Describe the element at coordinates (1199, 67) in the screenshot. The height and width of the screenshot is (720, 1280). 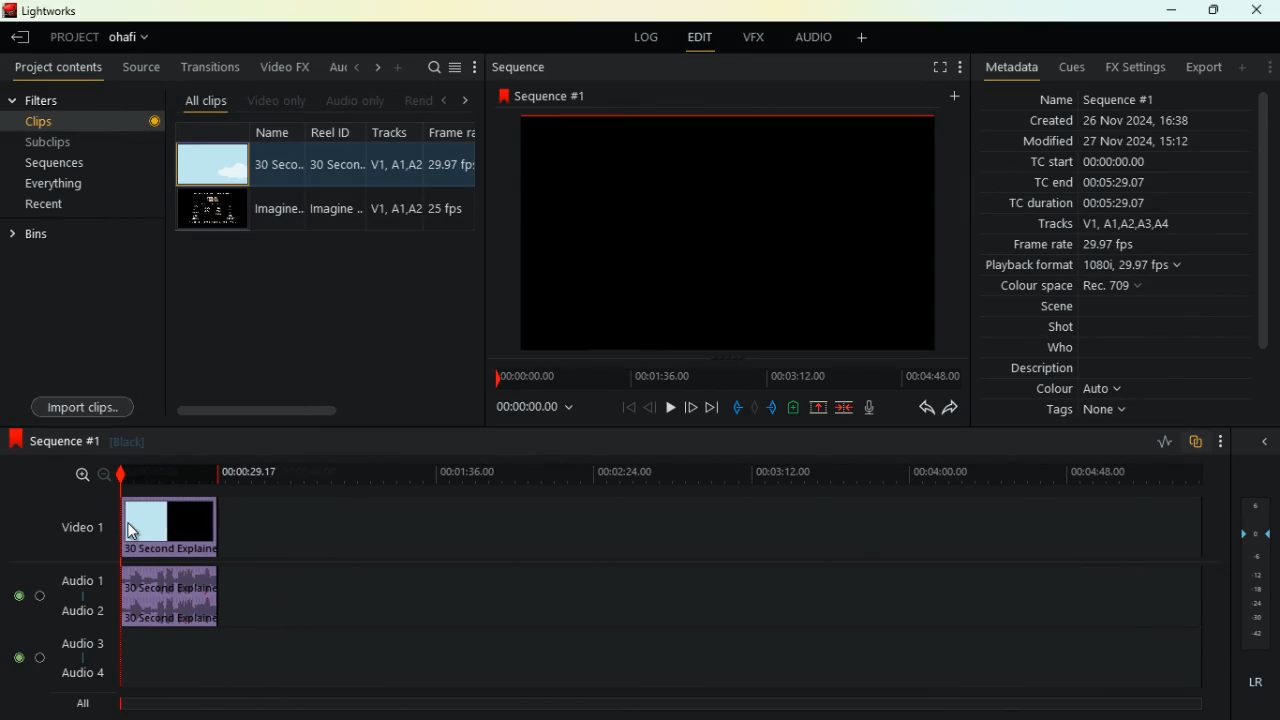
I see `export` at that location.